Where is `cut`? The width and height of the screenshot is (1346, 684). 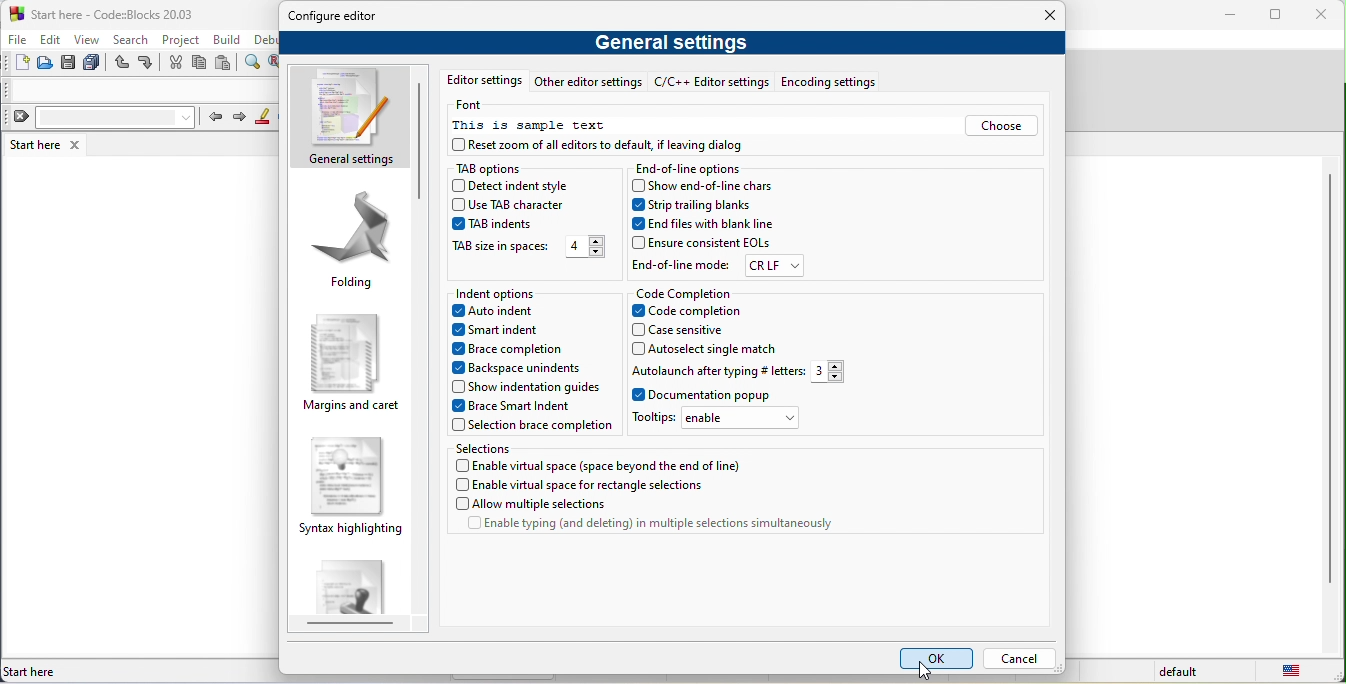 cut is located at coordinates (176, 64).